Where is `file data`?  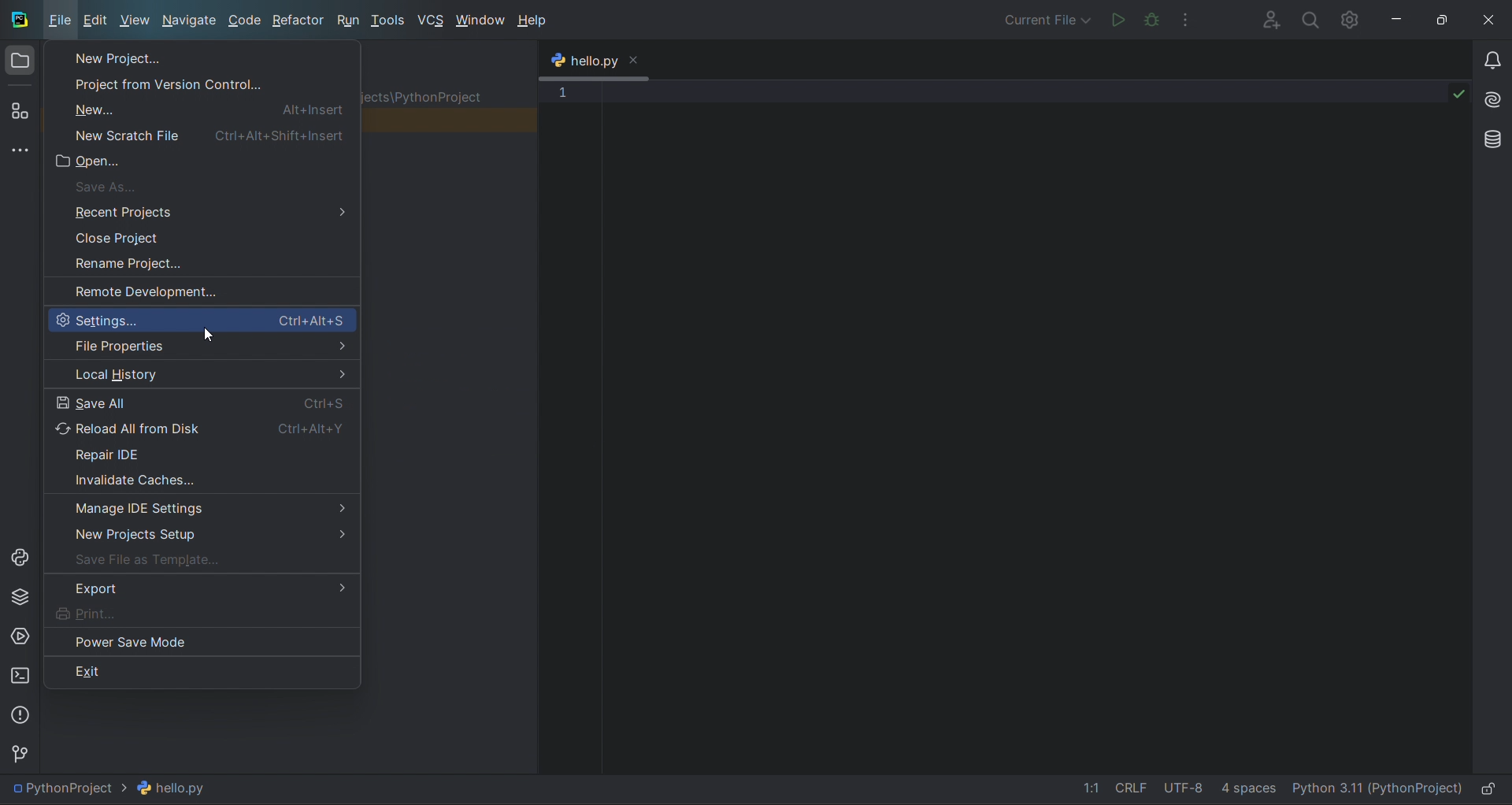
file data is located at coordinates (1157, 791).